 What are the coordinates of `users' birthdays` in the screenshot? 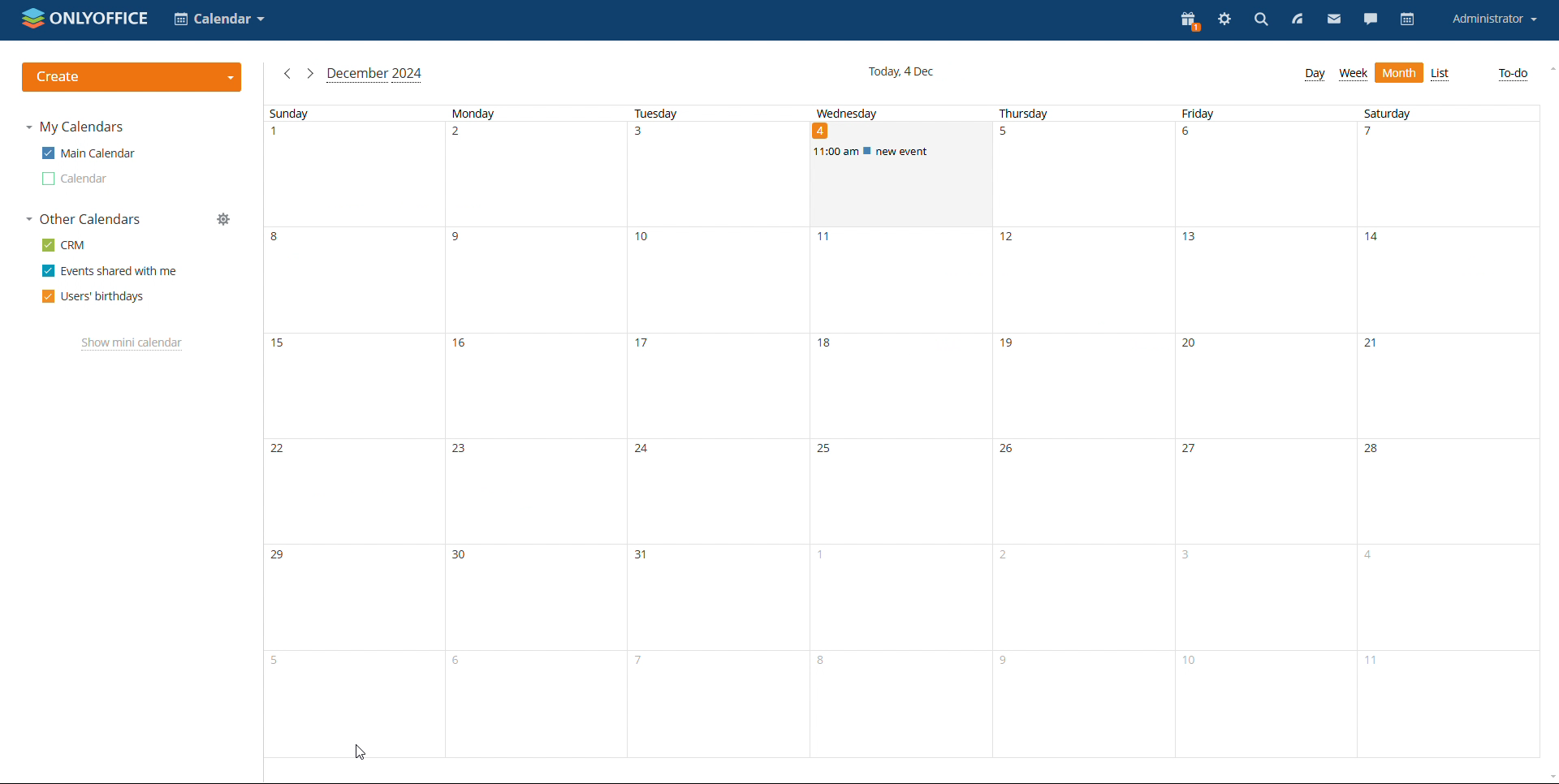 It's located at (92, 296).